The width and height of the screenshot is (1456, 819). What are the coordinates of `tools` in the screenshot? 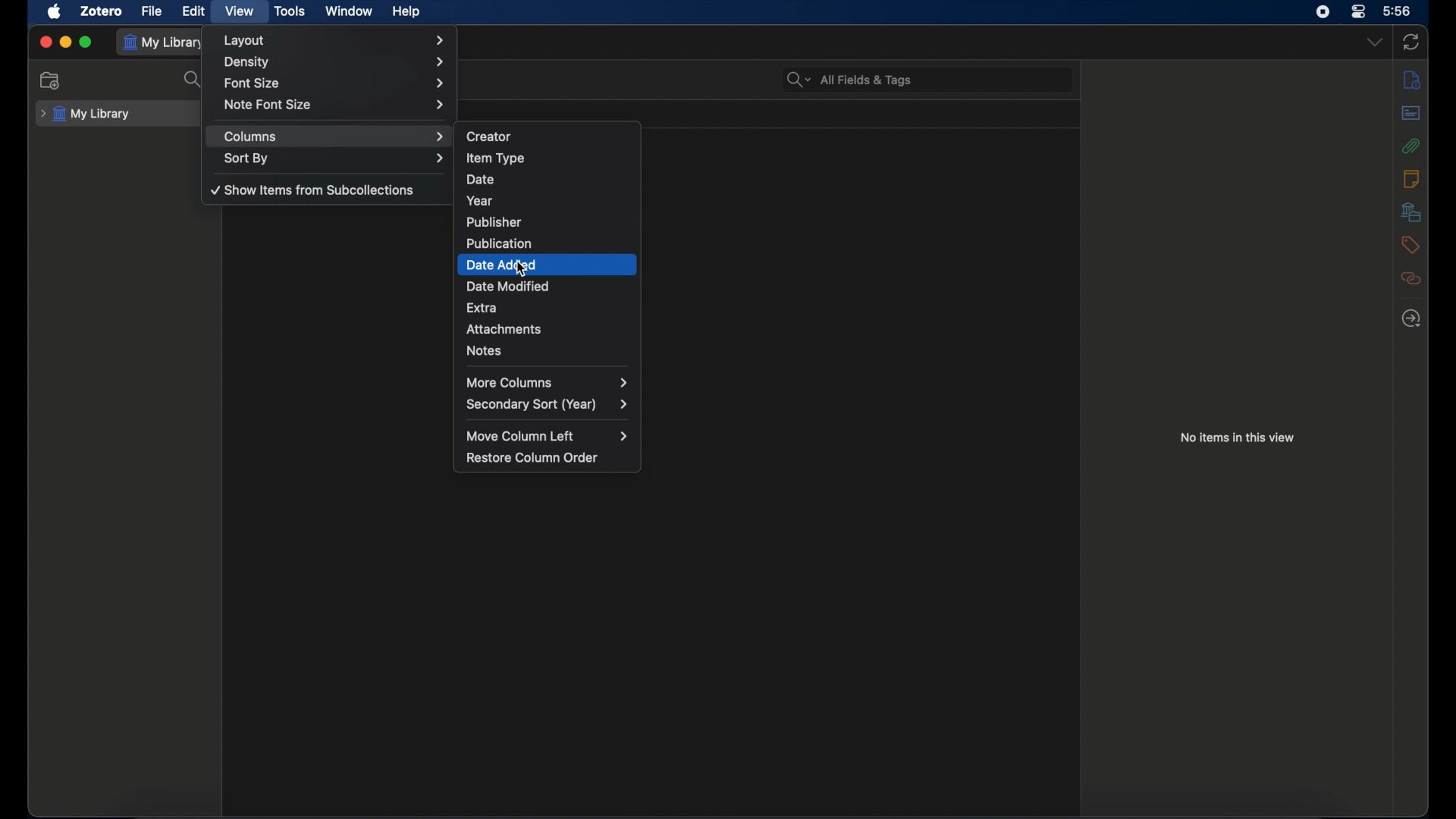 It's located at (290, 11).